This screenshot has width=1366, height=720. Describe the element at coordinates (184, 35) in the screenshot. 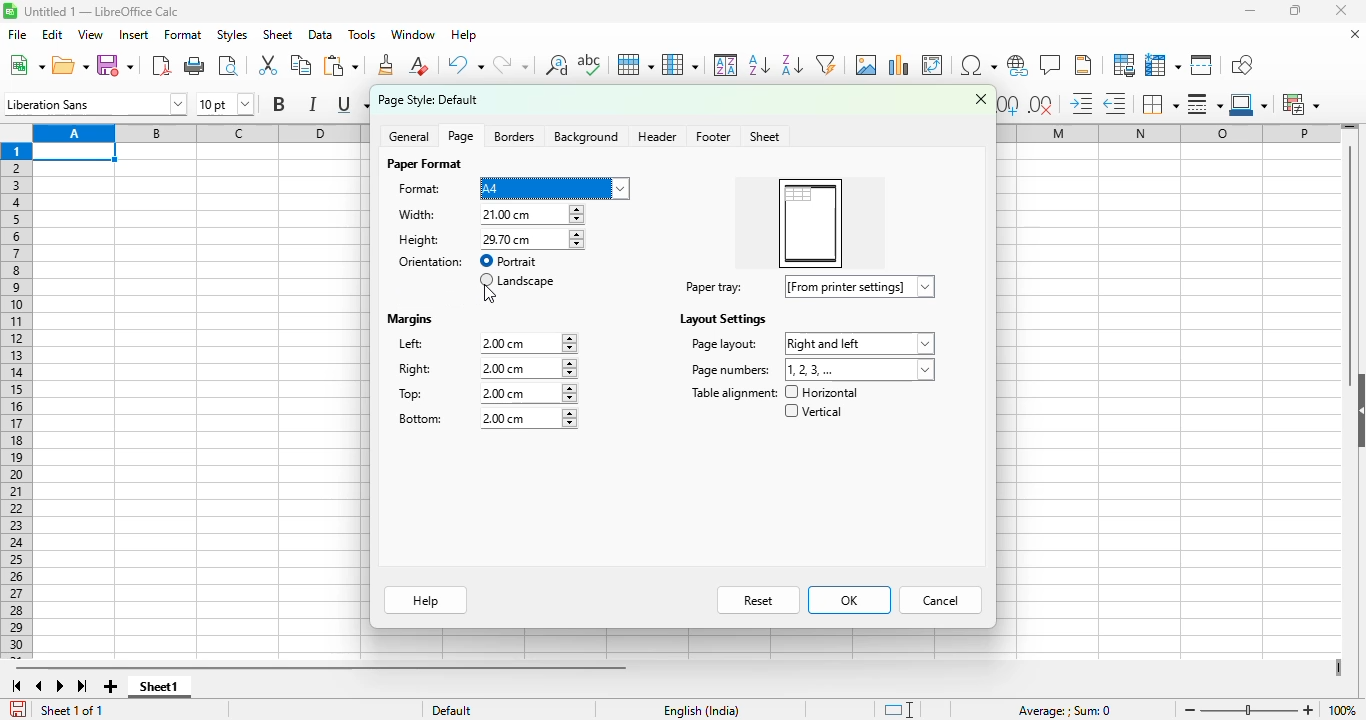

I see `format` at that location.